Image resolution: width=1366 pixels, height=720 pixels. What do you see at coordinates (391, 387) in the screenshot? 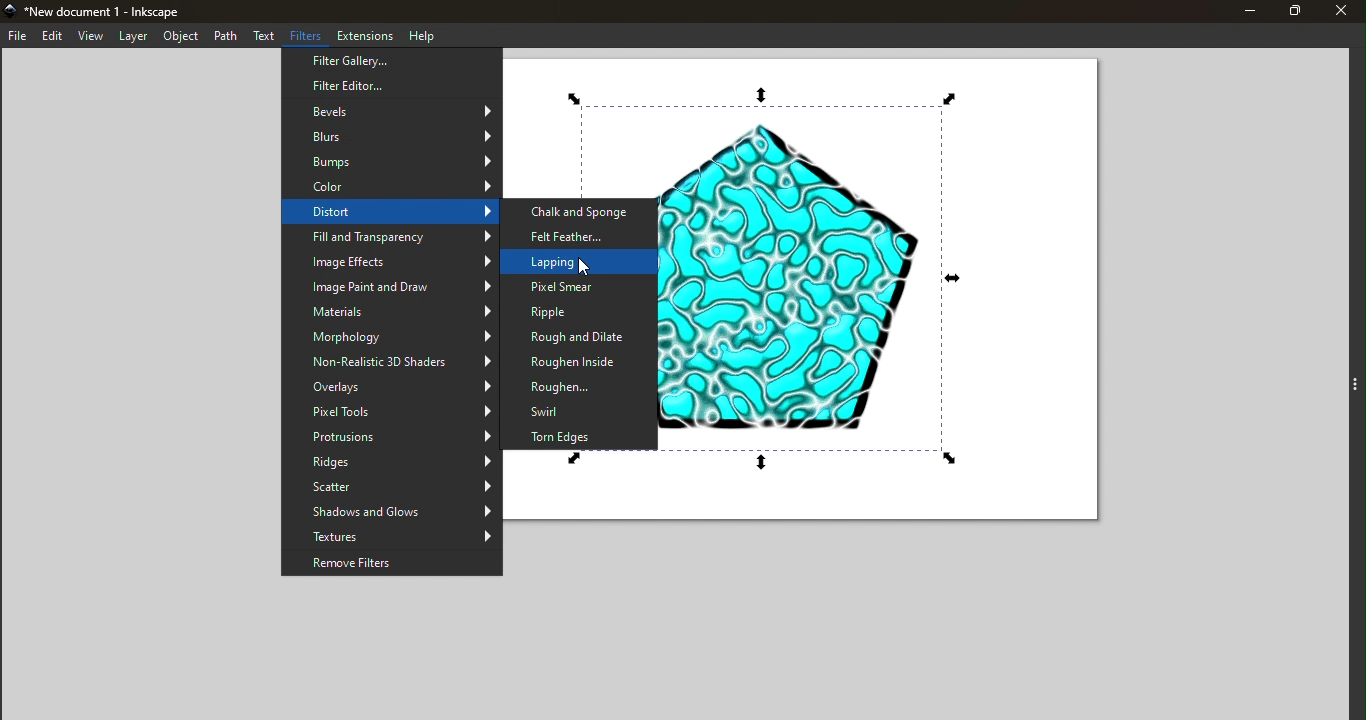
I see `Overlays` at bounding box center [391, 387].